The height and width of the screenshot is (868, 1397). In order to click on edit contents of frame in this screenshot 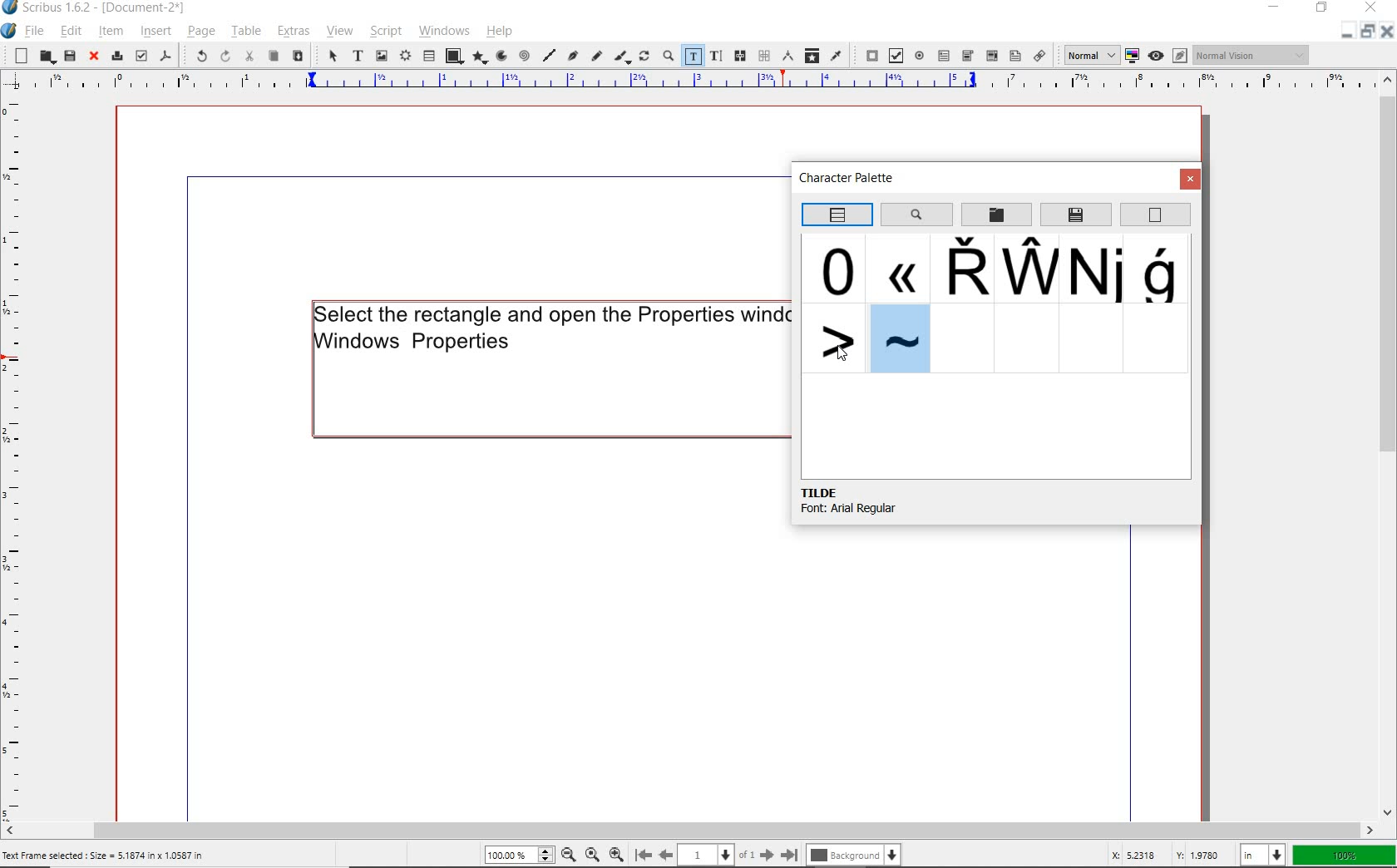, I will do `click(692, 55)`.